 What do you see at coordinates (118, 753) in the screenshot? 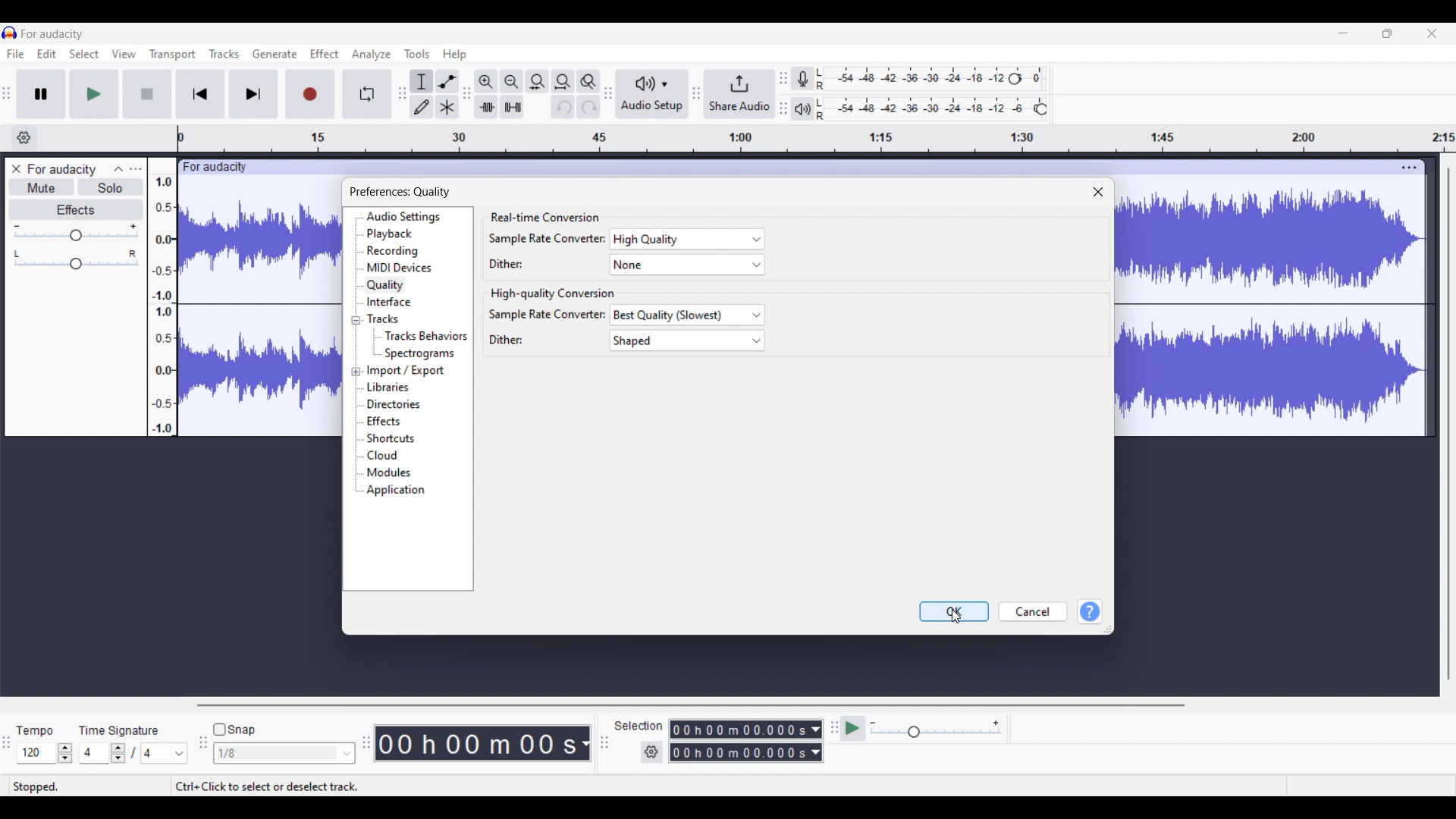
I see `Increase/Decrease time signature` at bounding box center [118, 753].